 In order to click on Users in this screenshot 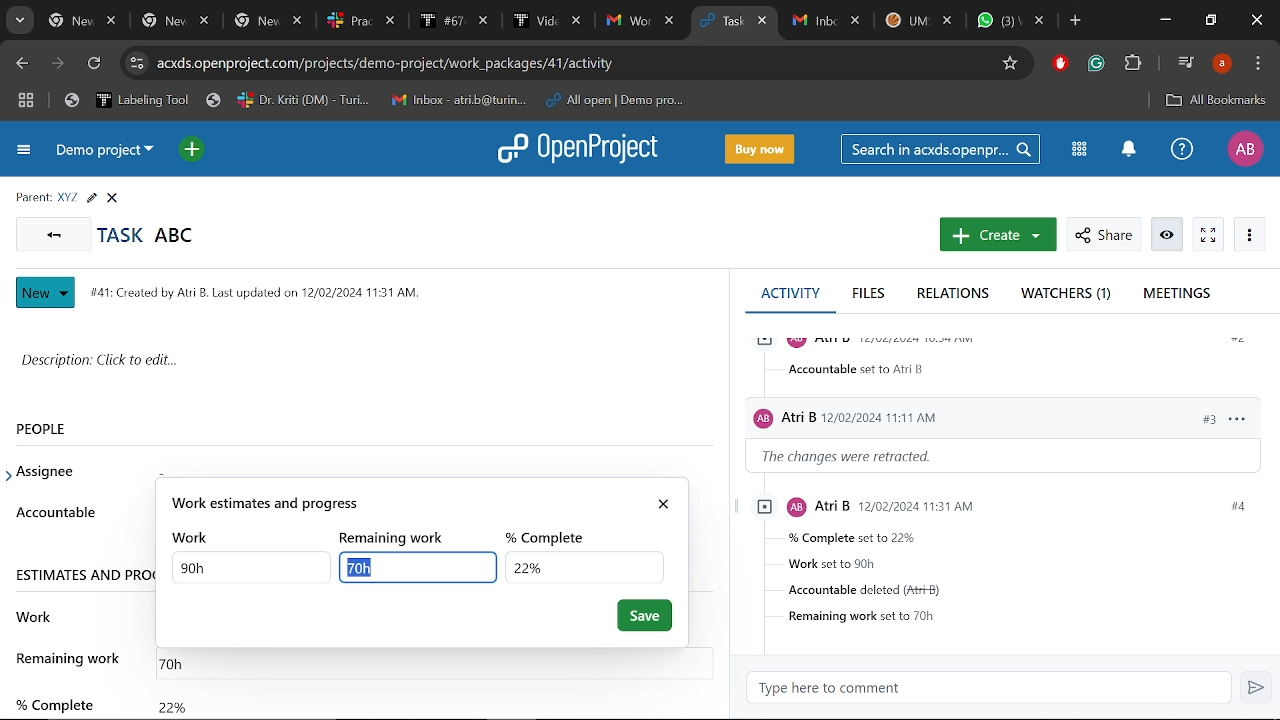, I will do `click(942, 414)`.